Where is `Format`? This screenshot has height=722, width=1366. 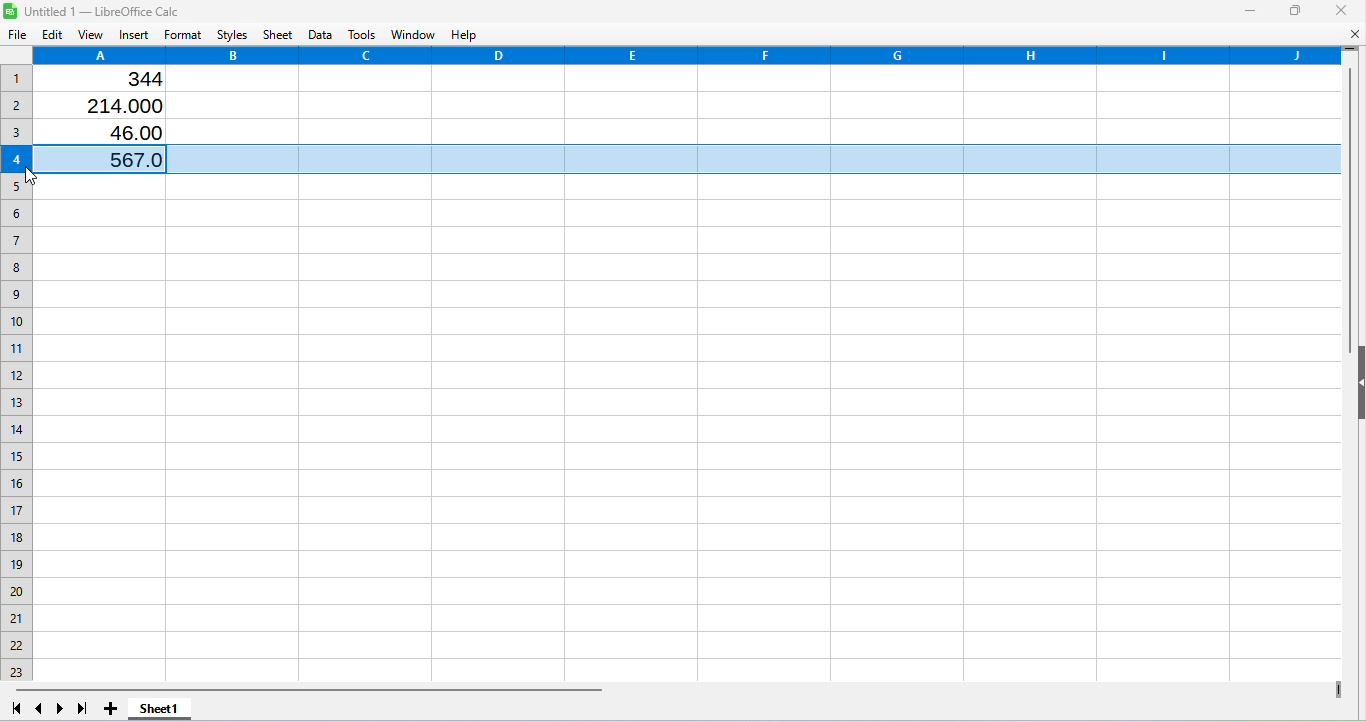 Format is located at coordinates (185, 34).